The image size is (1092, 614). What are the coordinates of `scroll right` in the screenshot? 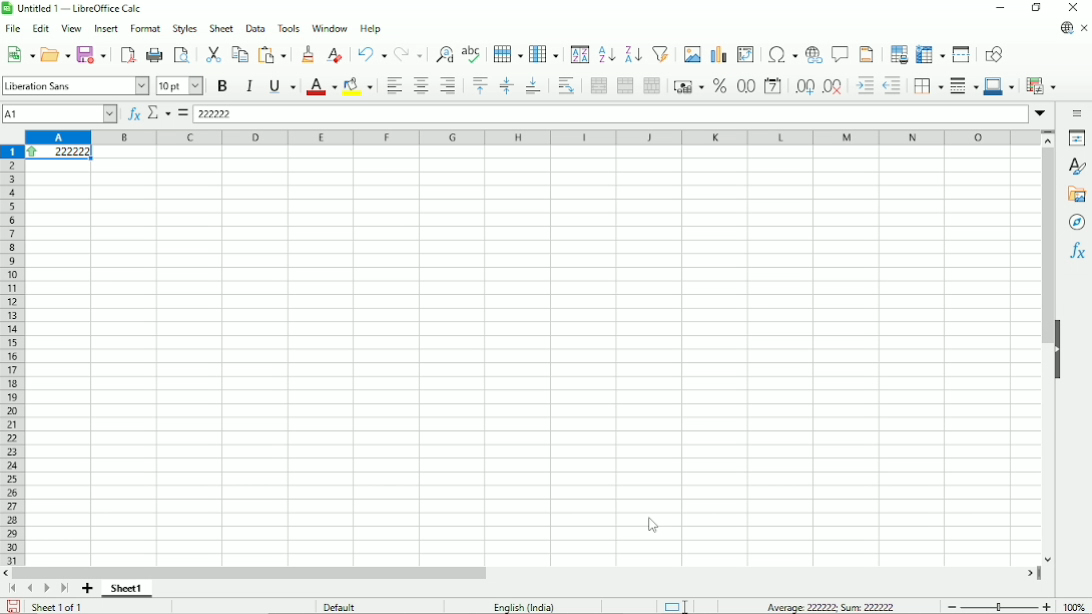 It's located at (1030, 572).